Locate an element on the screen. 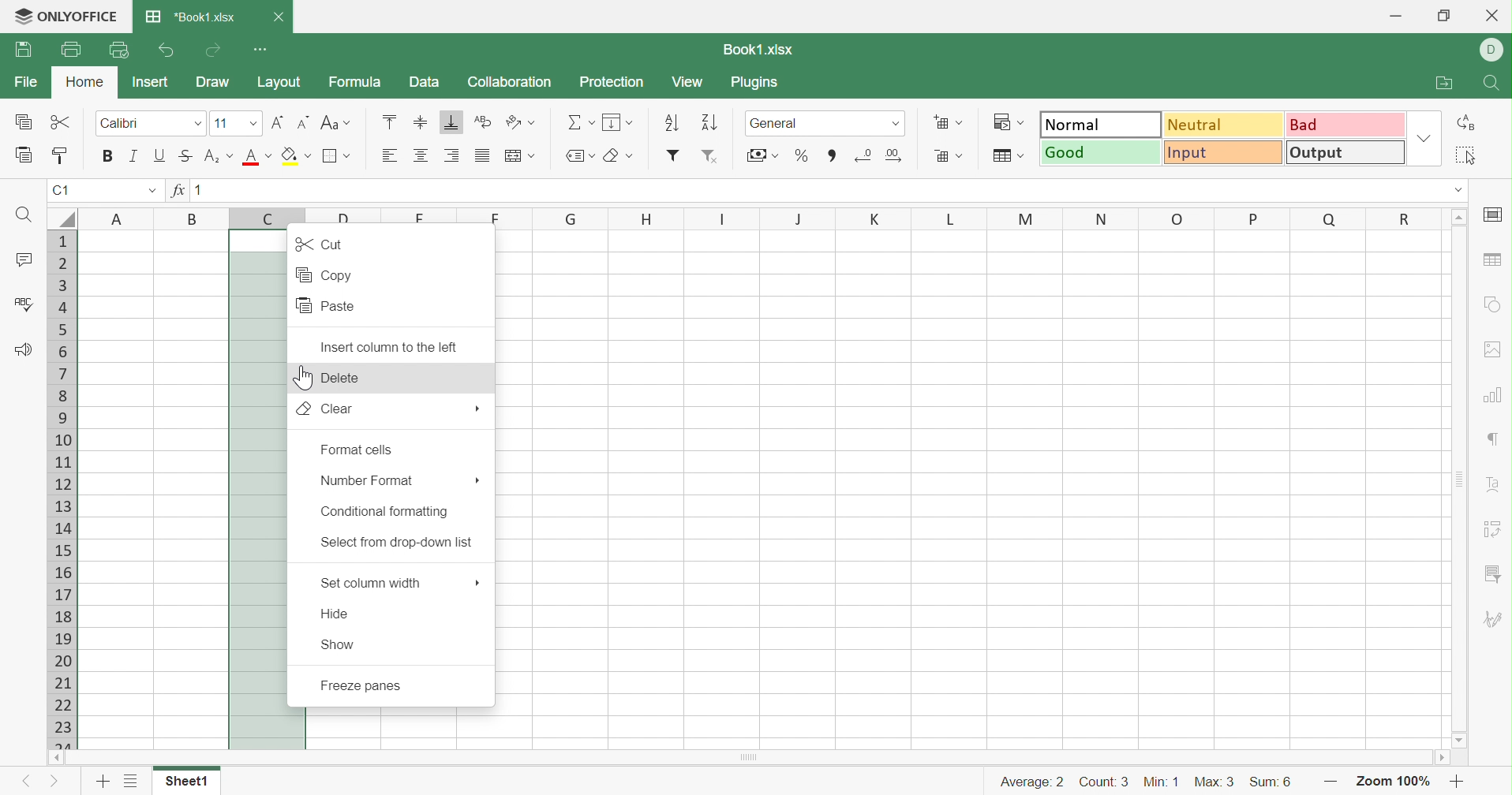 This screenshot has width=1512, height=795. Save is located at coordinates (24, 47).